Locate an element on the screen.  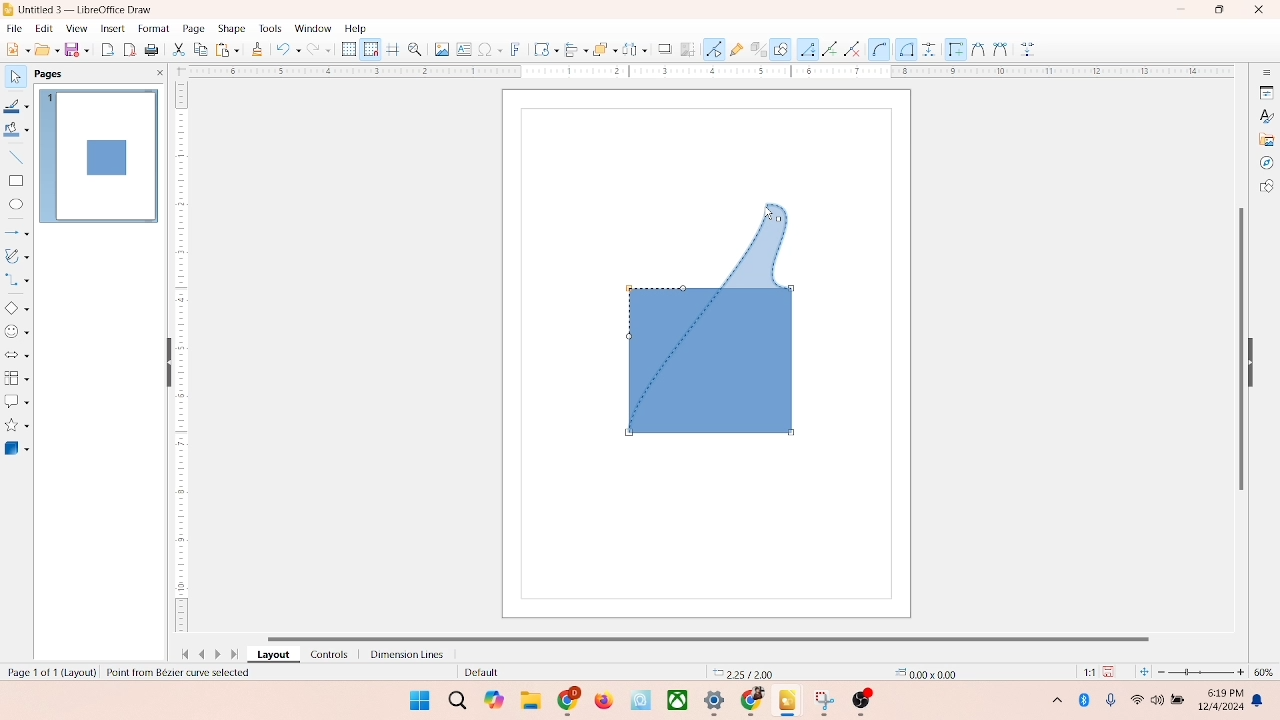
next page is located at coordinates (220, 654).